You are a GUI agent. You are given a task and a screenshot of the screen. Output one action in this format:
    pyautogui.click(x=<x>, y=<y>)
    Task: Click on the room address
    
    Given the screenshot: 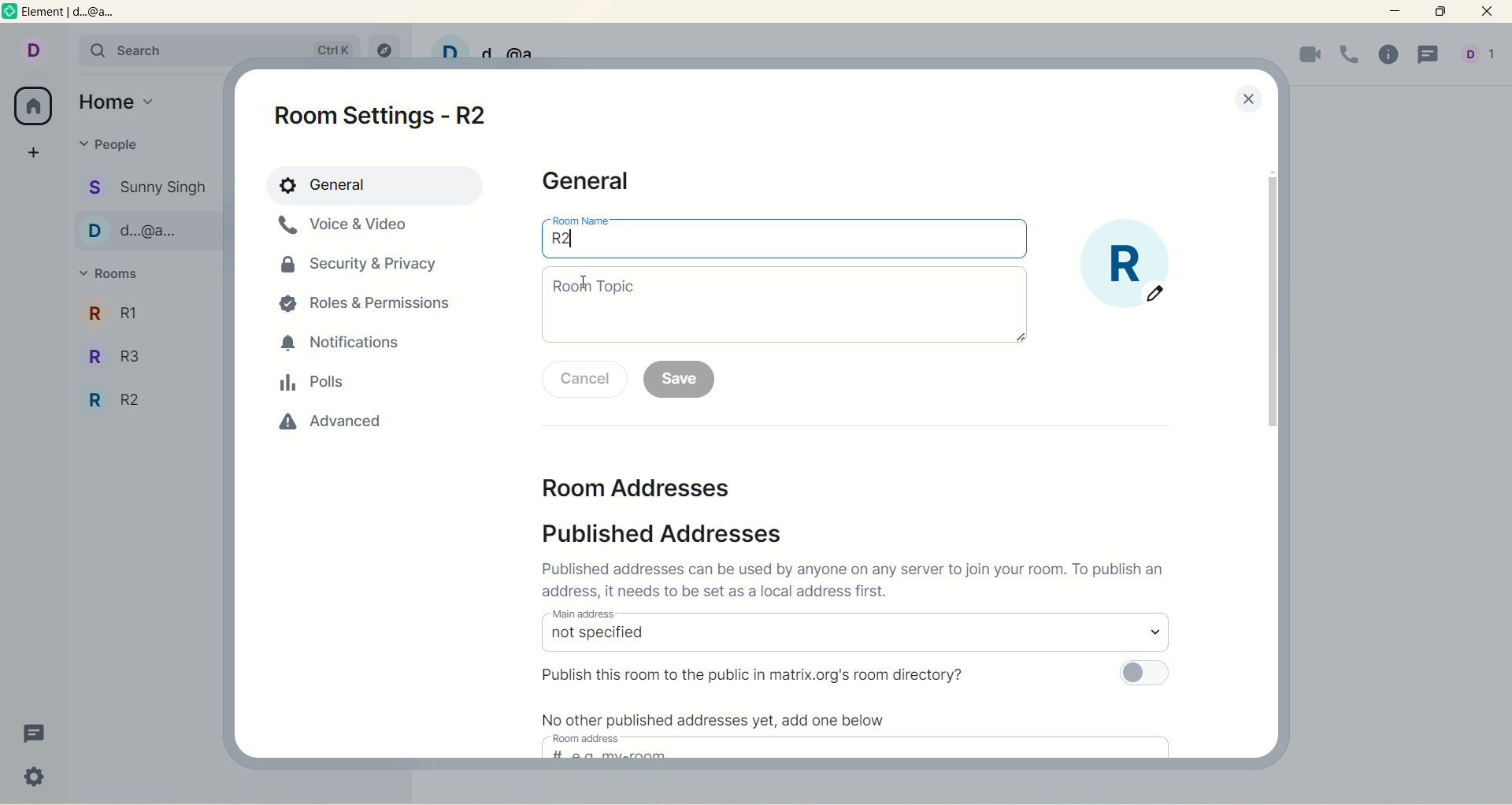 What is the action you would take?
    pyautogui.click(x=589, y=738)
    